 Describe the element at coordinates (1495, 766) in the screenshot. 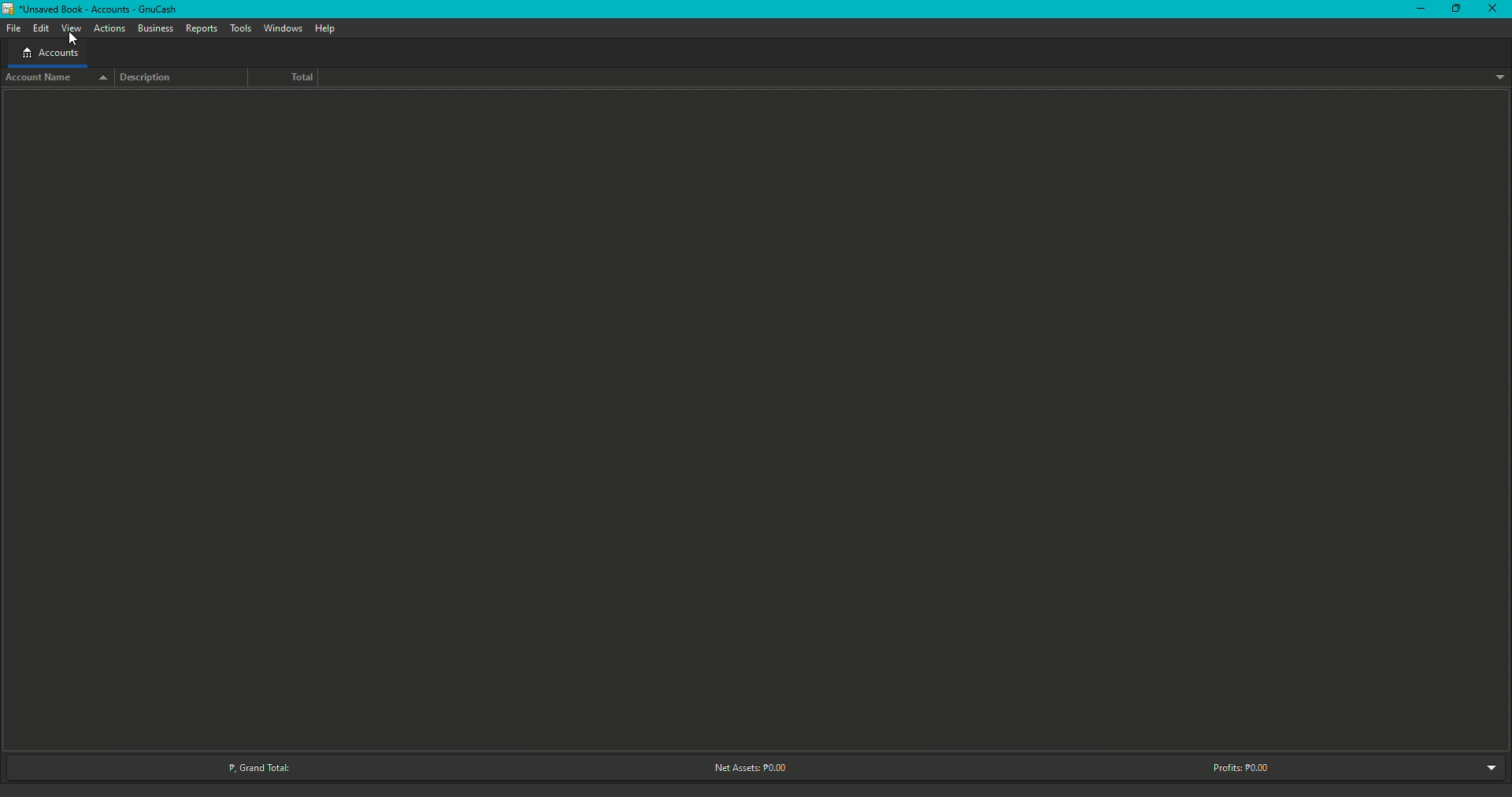

I see `Drop down` at that location.